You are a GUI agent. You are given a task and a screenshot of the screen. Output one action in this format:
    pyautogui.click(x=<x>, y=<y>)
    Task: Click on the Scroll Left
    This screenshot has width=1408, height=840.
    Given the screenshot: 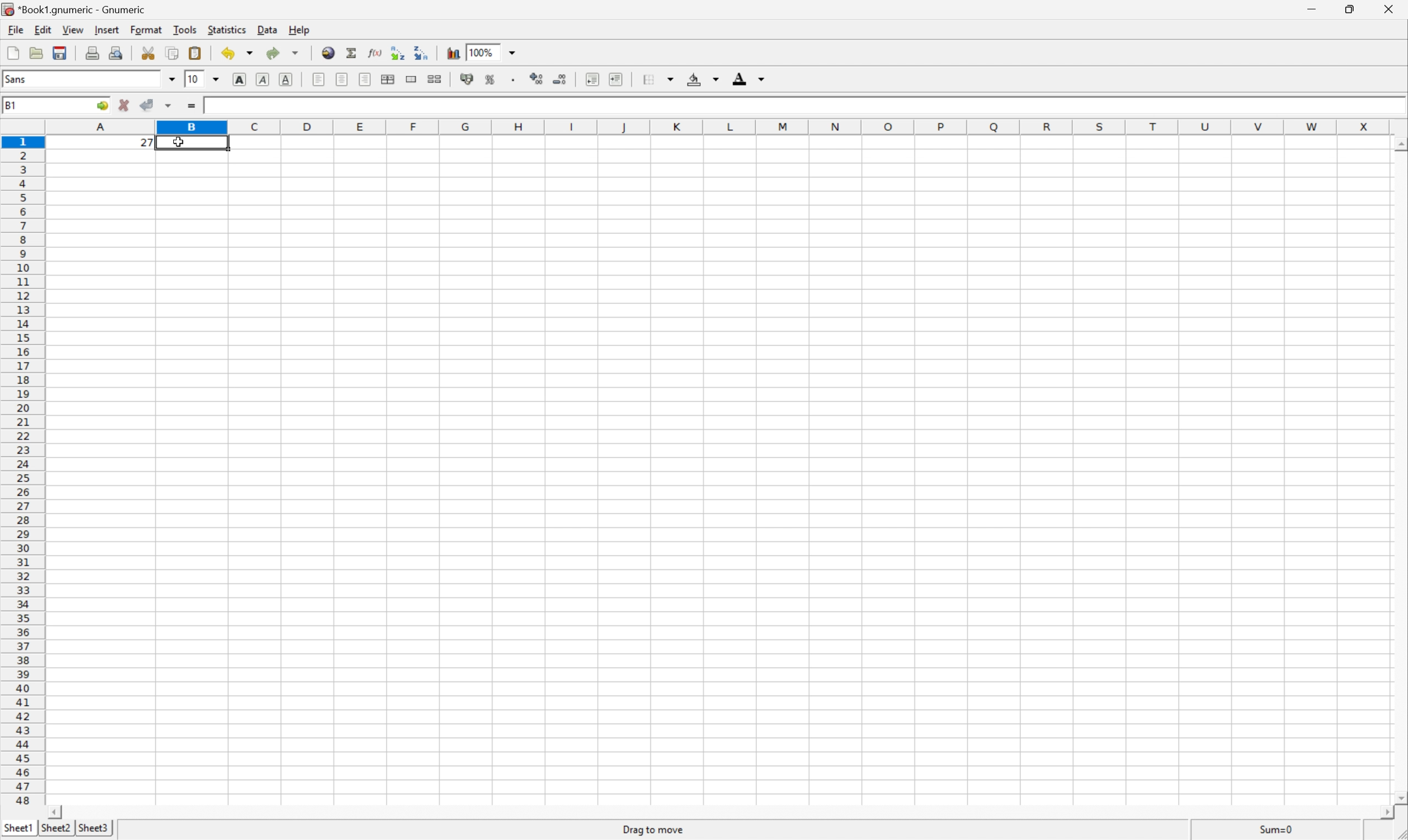 What is the action you would take?
    pyautogui.click(x=52, y=811)
    